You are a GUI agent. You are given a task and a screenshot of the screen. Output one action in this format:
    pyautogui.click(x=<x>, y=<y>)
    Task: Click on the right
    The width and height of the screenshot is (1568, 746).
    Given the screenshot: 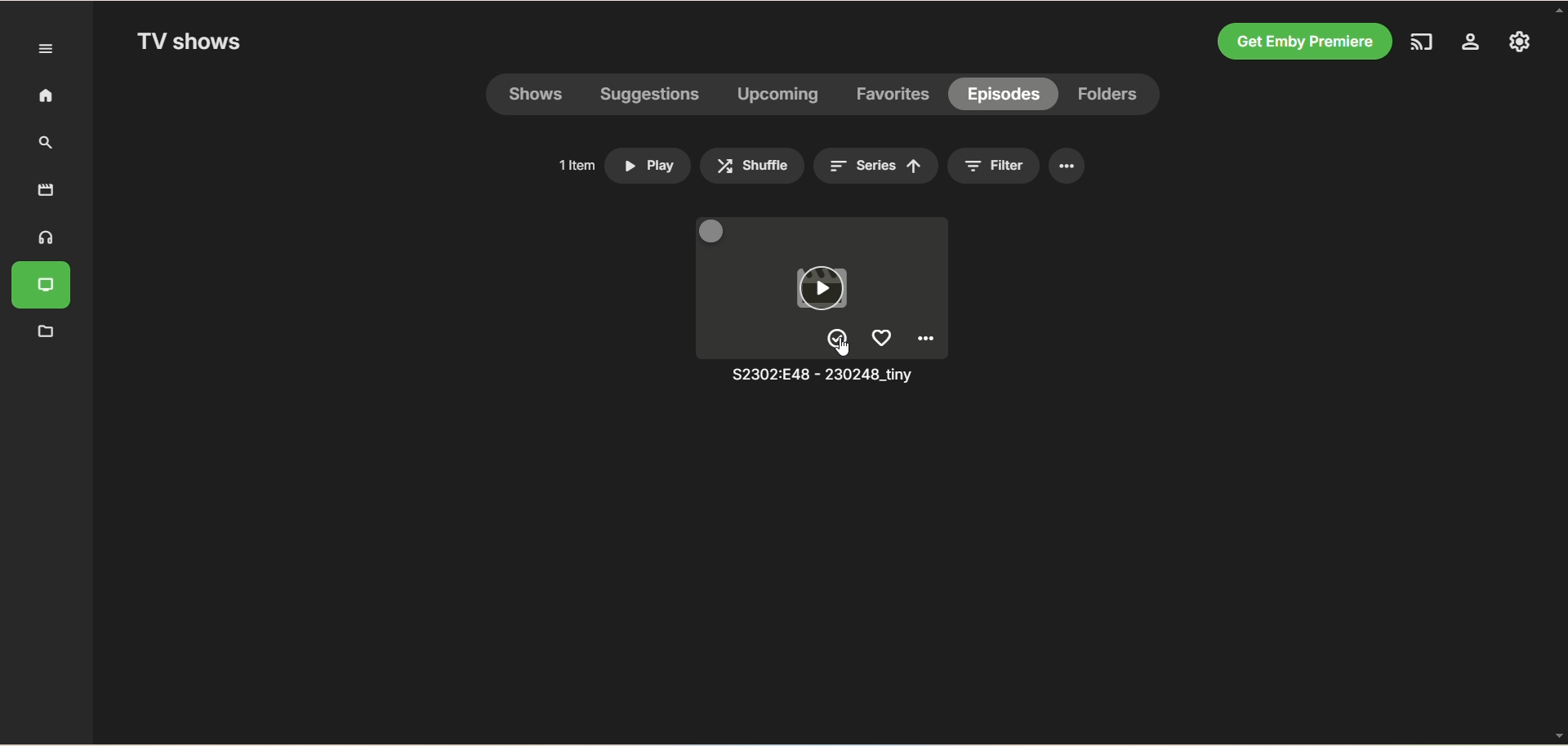 What is the action you would take?
    pyautogui.click(x=839, y=339)
    